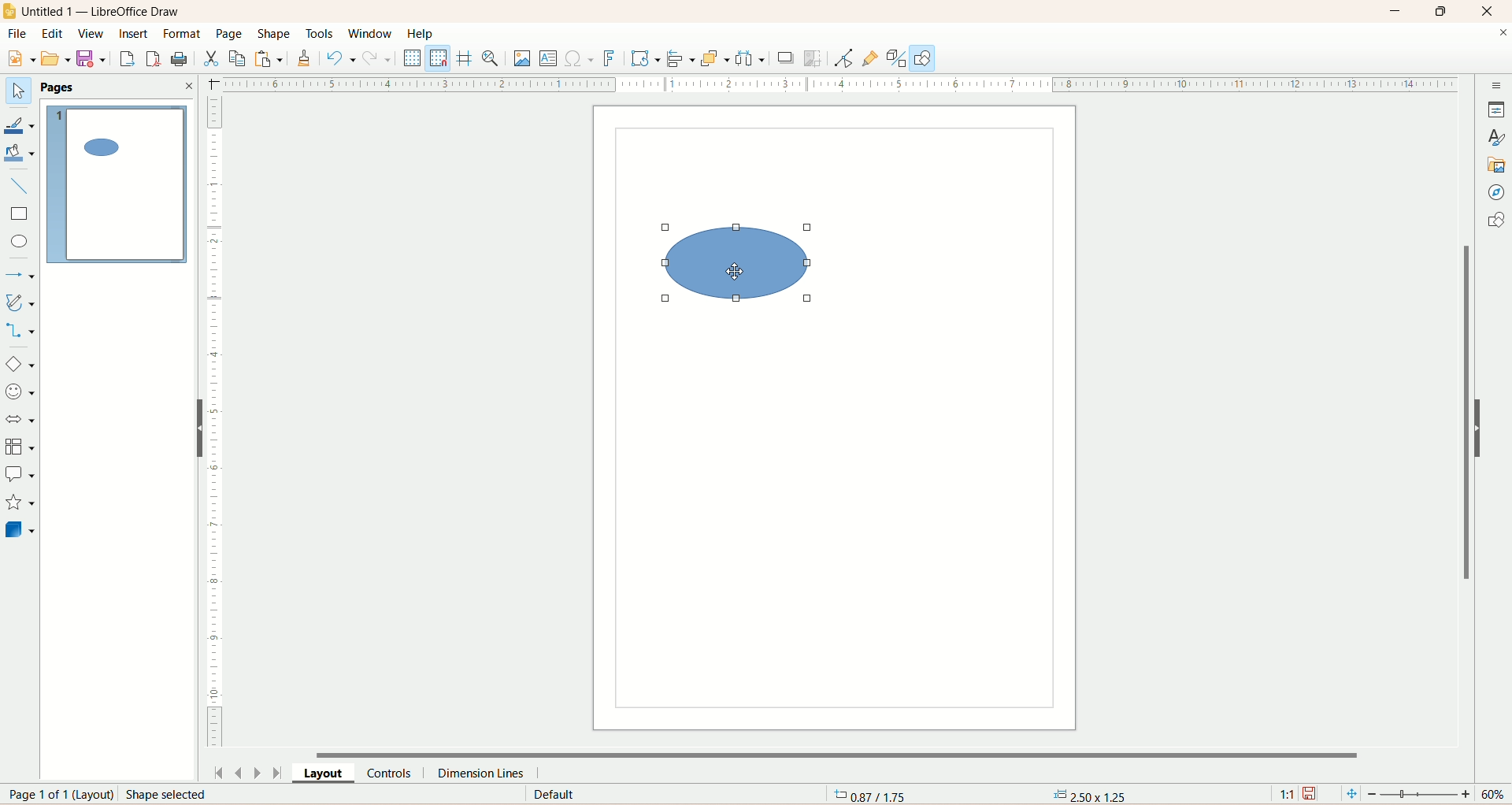 Image resolution: width=1512 pixels, height=805 pixels. Describe the element at coordinates (493, 772) in the screenshot. I see `dimension lines` at that location.